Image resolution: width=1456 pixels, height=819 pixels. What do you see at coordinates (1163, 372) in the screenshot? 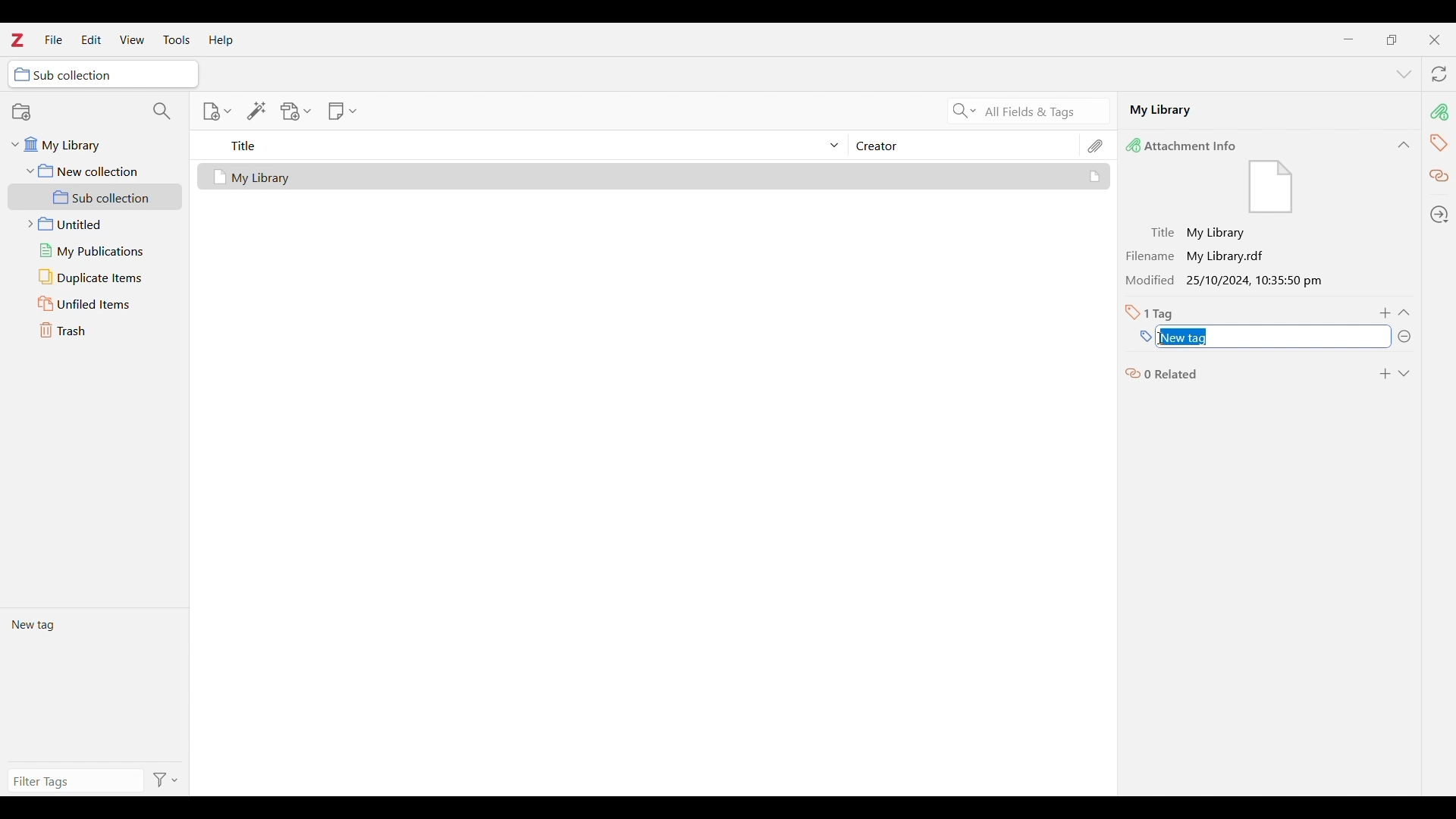
I see `0 related` at bounding box center [1163, 372].